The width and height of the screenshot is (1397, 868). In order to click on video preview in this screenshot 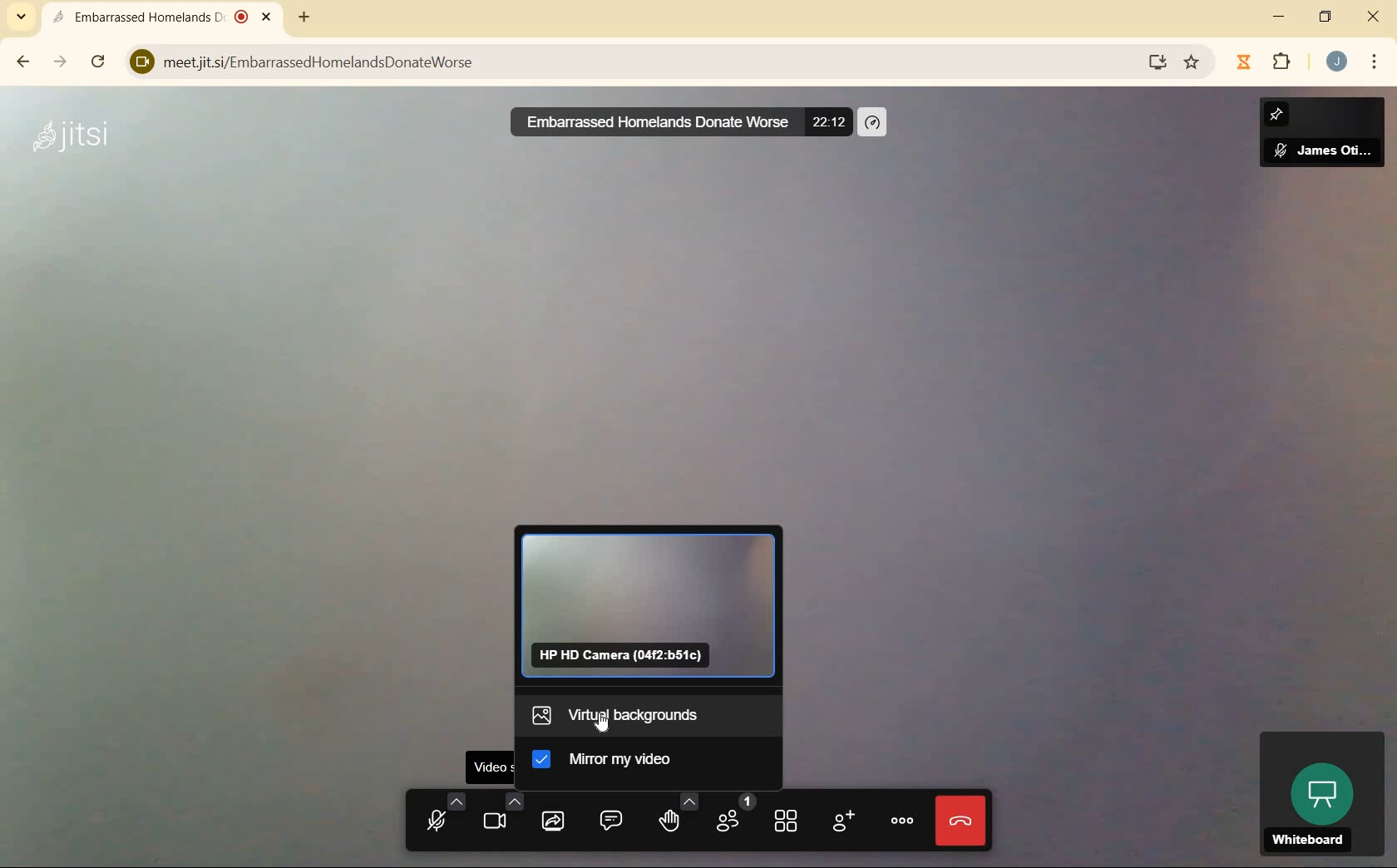, I will do `click(652, 605)`.